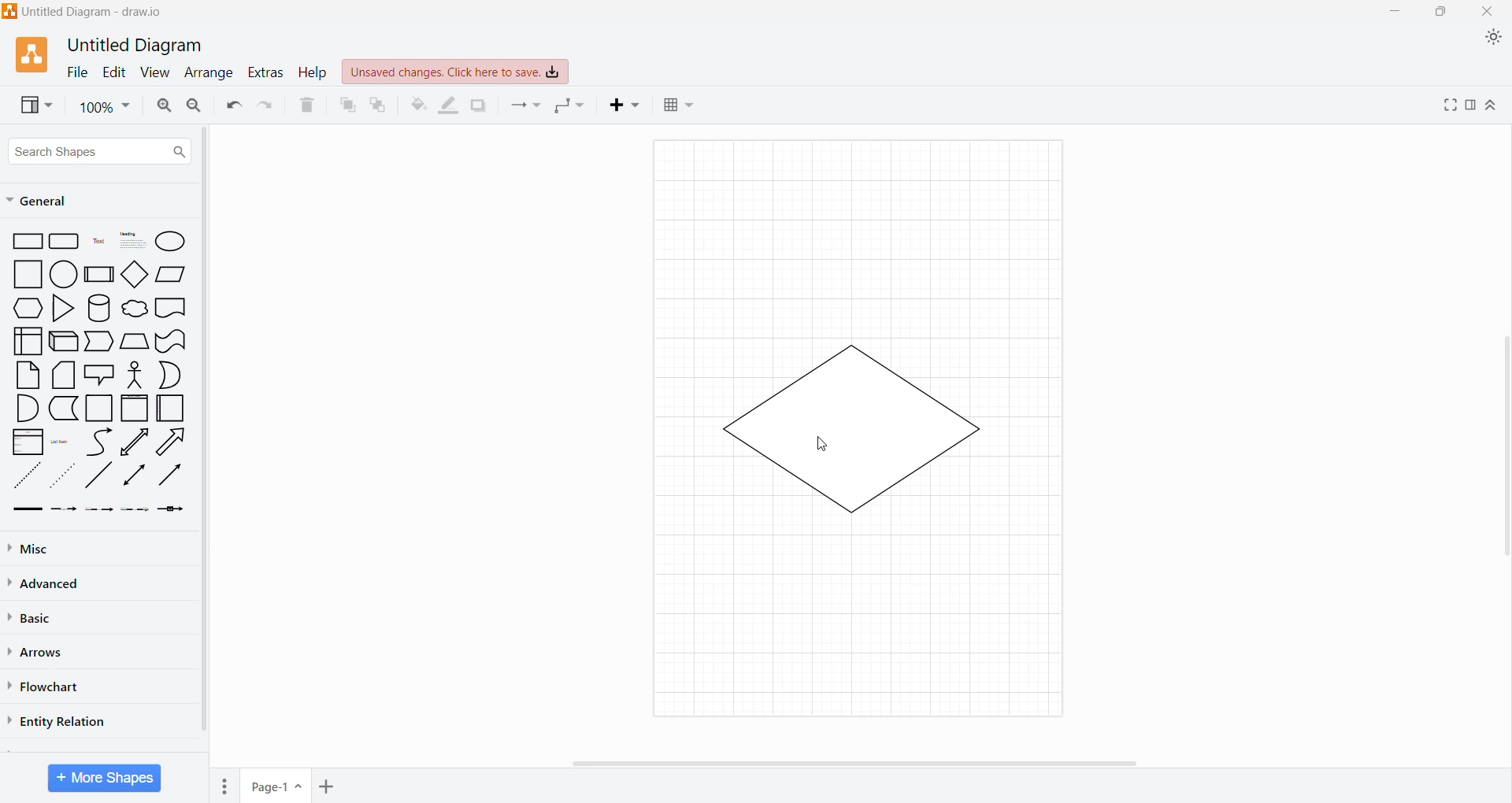 This screenshot has height=803, width=1512. Describe the element at coordinates (113, 72) in the screenshot. I see `Edit` at that location.